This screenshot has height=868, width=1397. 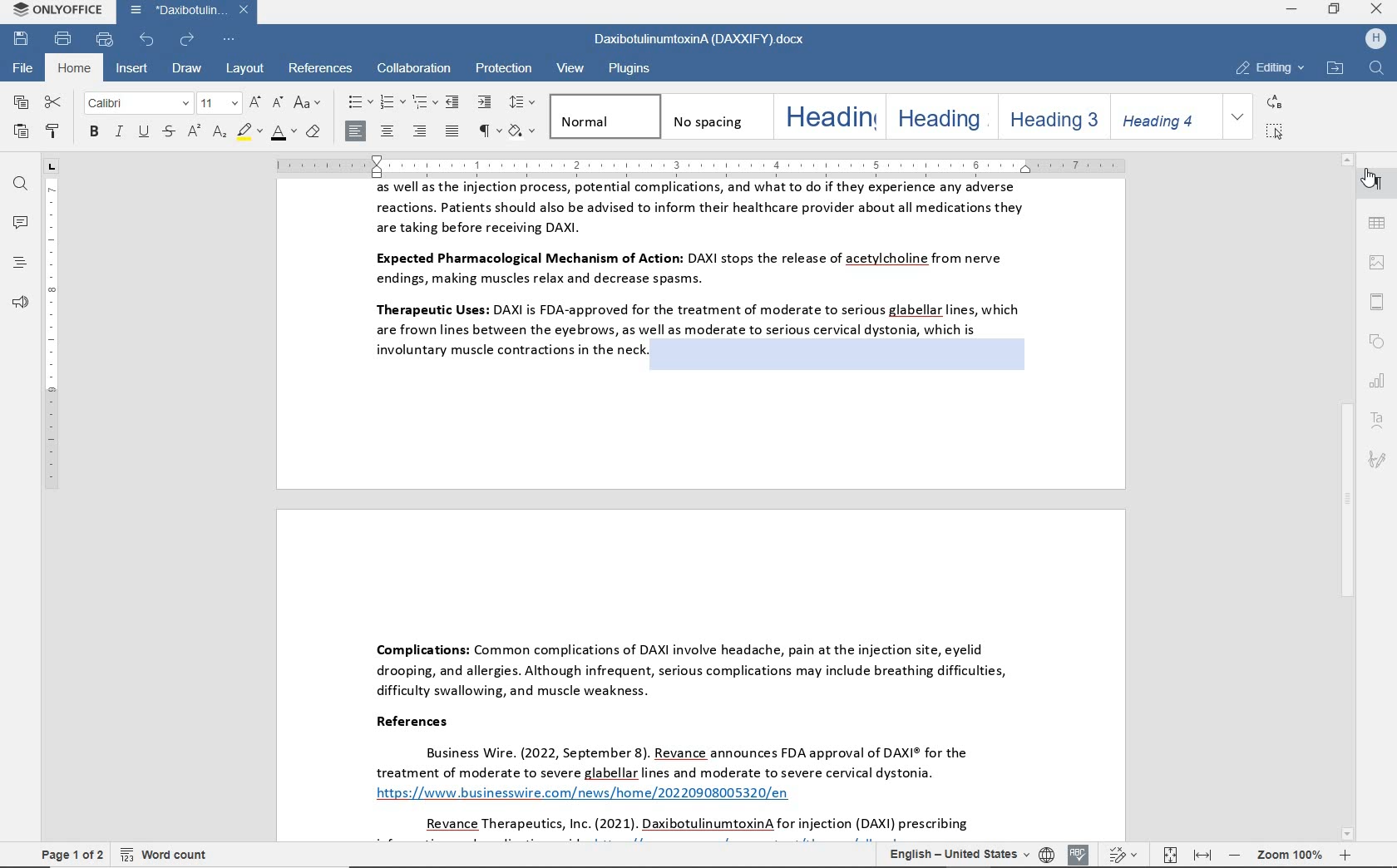 What do you see at coordinates (827, 116) in the screenshot?
I see `heading 1` at bounding box center [827, 116].